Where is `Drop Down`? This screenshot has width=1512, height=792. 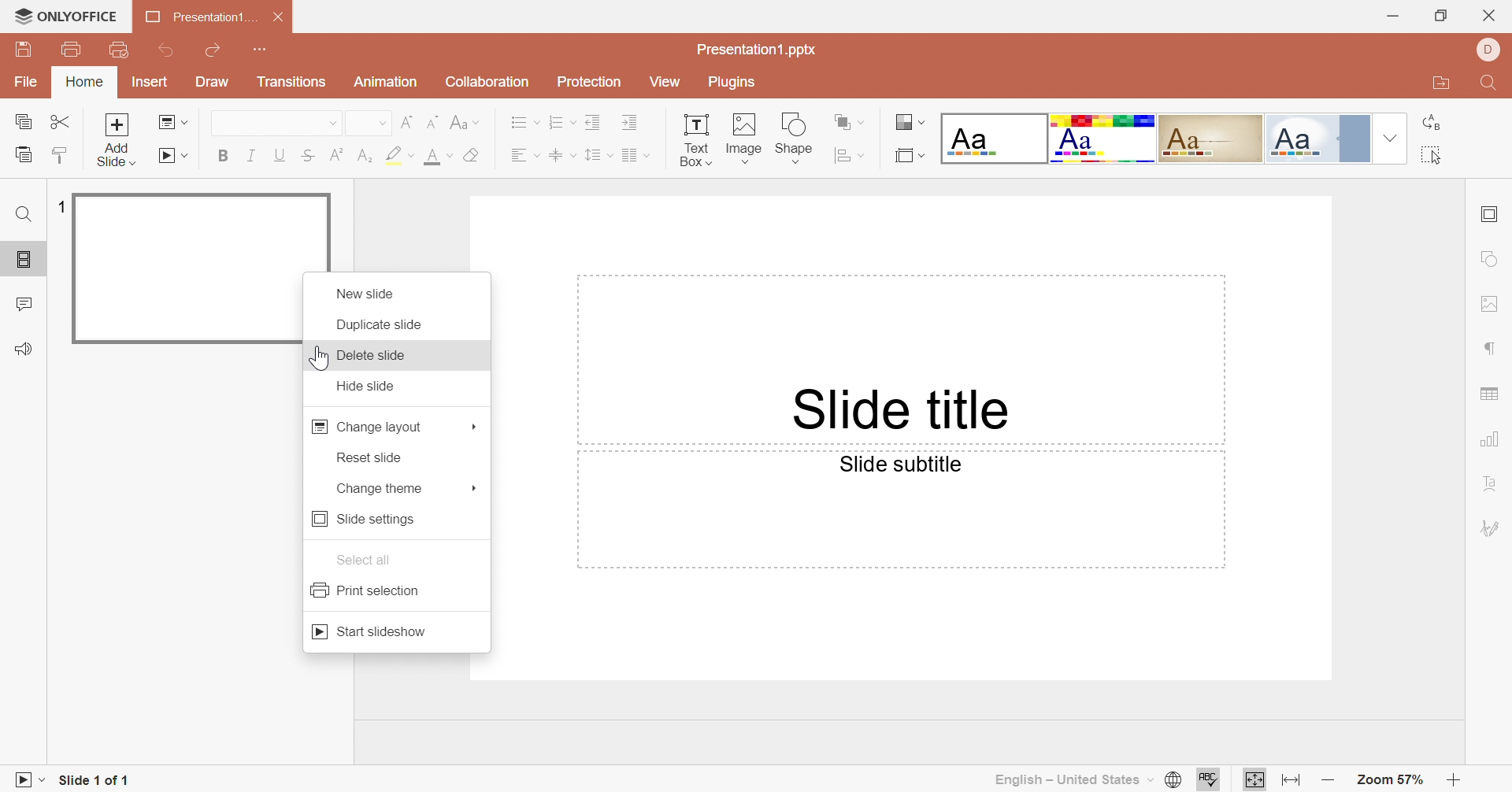 Drop Down is located at coordinates (187, 156).